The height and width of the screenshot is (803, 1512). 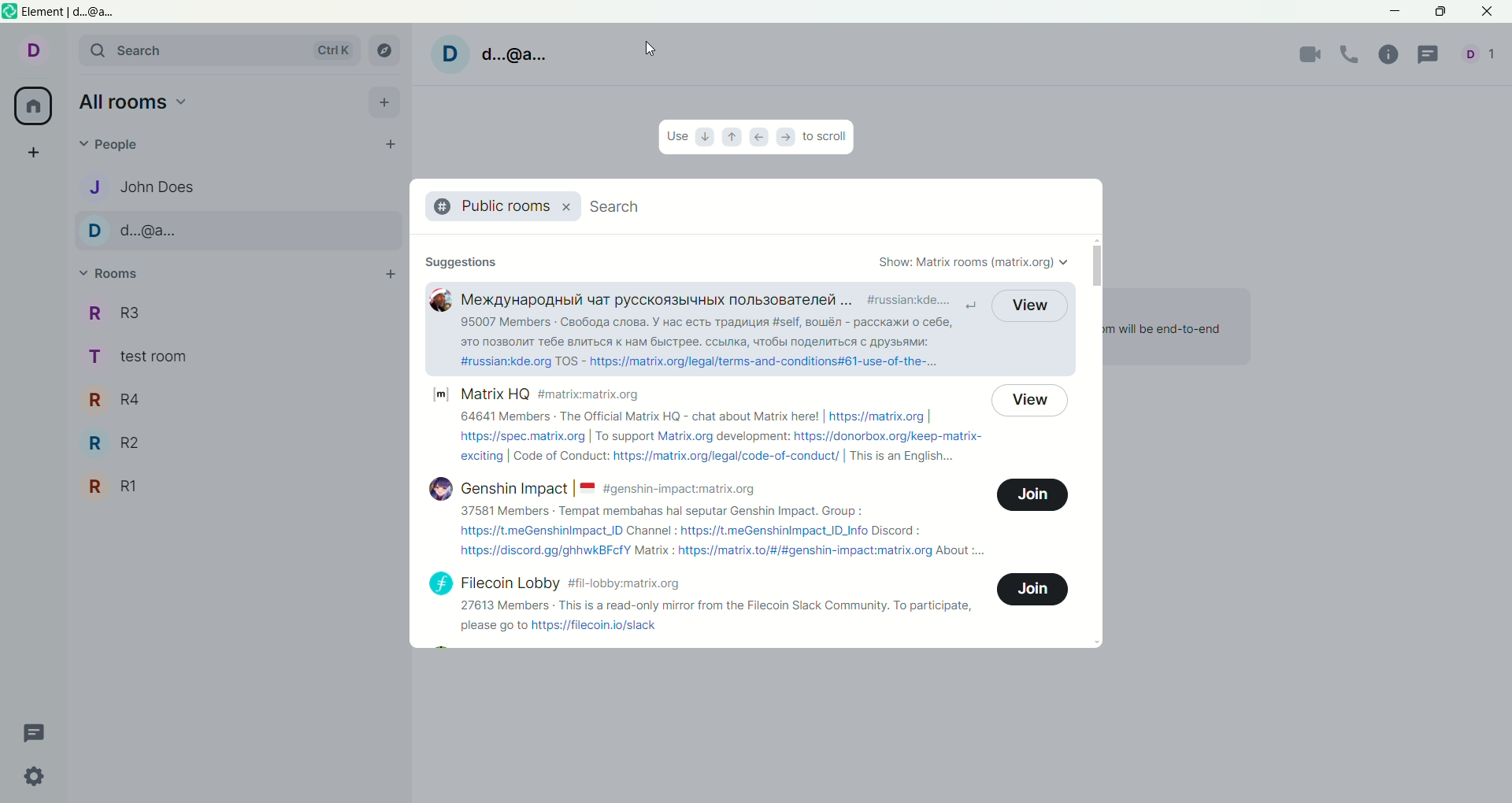 I want to click on #genshin-impact:matrix.org, so click(x=679, y=490).